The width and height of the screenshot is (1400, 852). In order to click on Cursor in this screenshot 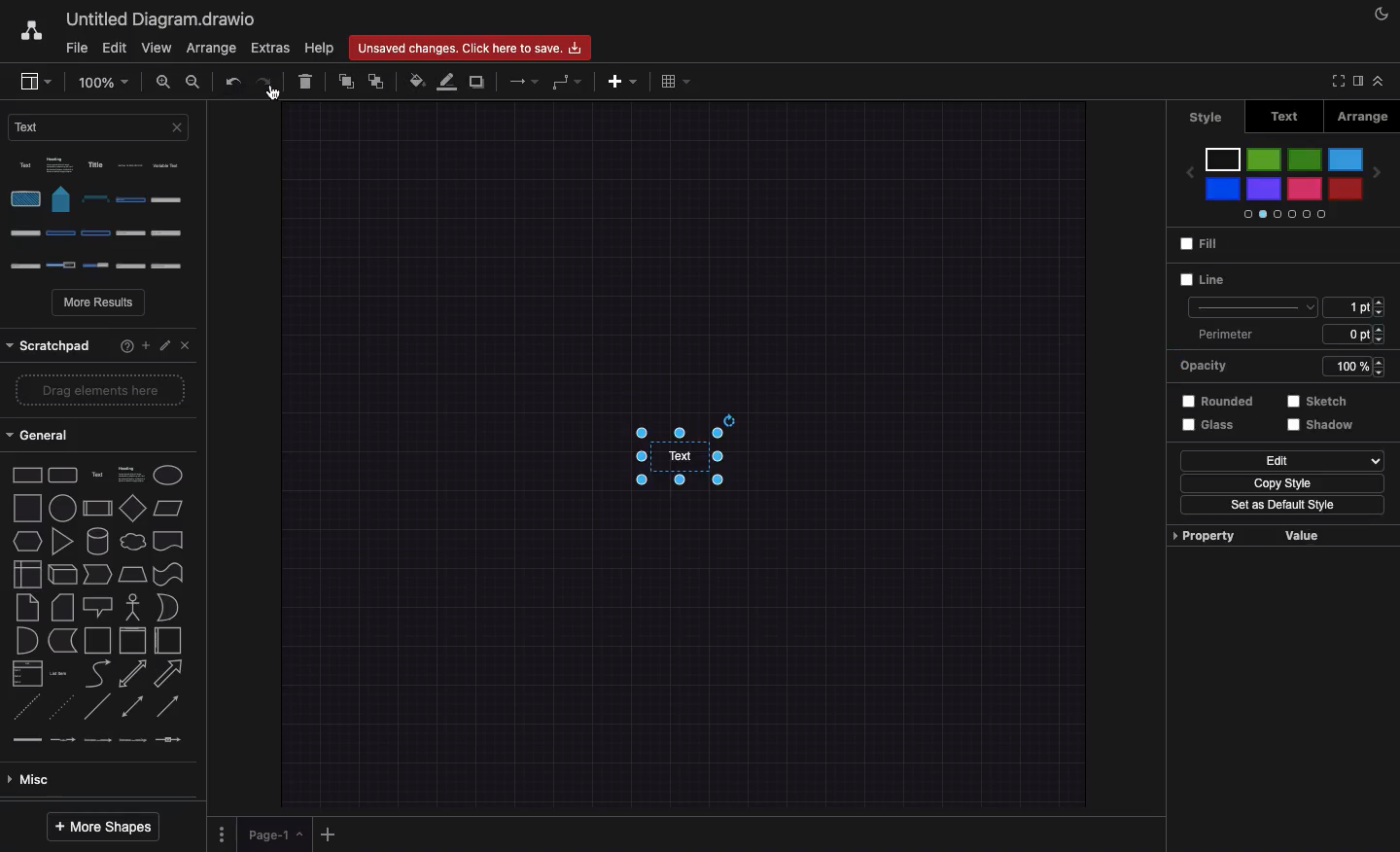, I will do `click(275, 93)`.